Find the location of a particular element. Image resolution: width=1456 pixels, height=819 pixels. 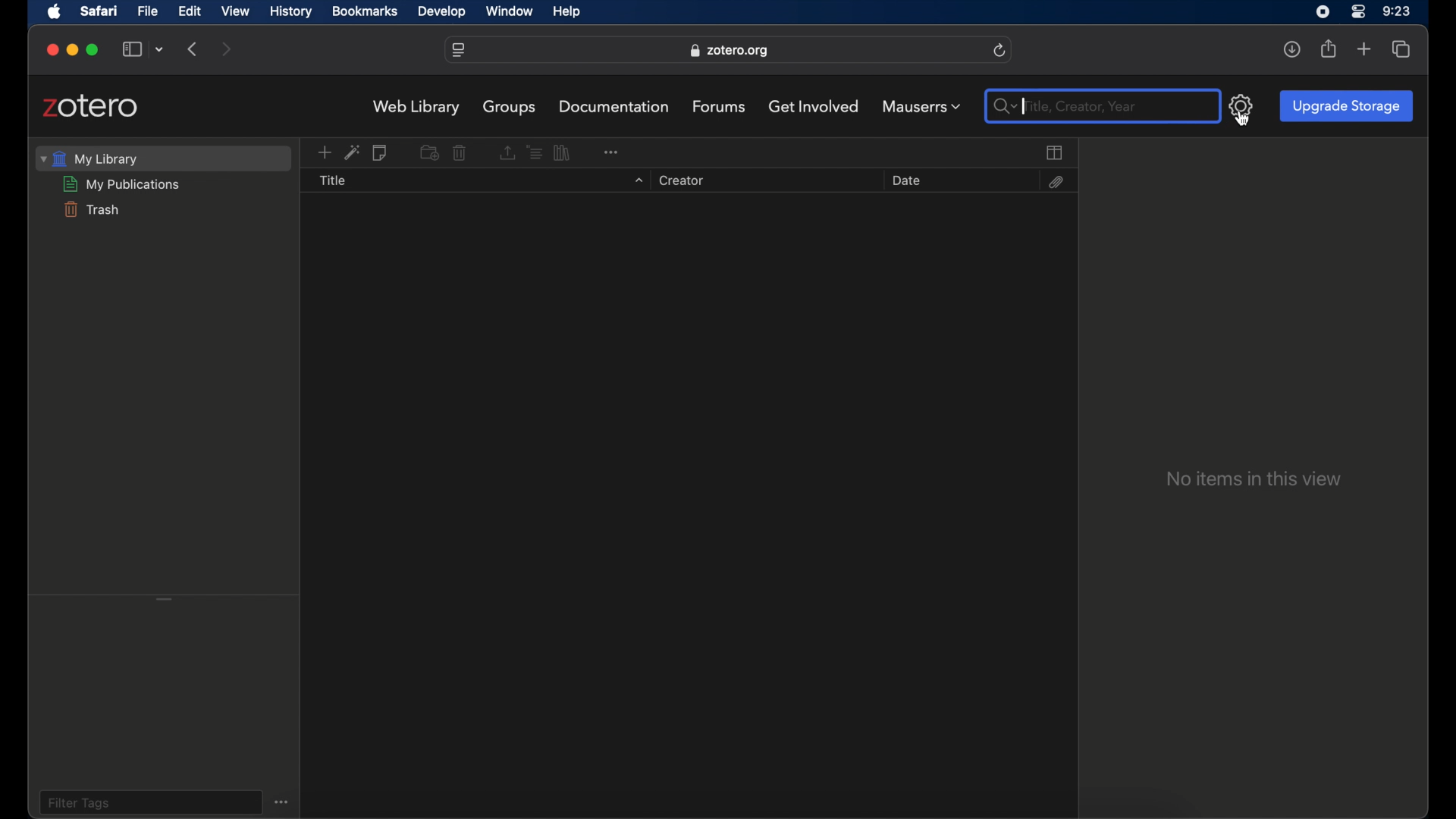

website address is located at coordinates (729, 51).